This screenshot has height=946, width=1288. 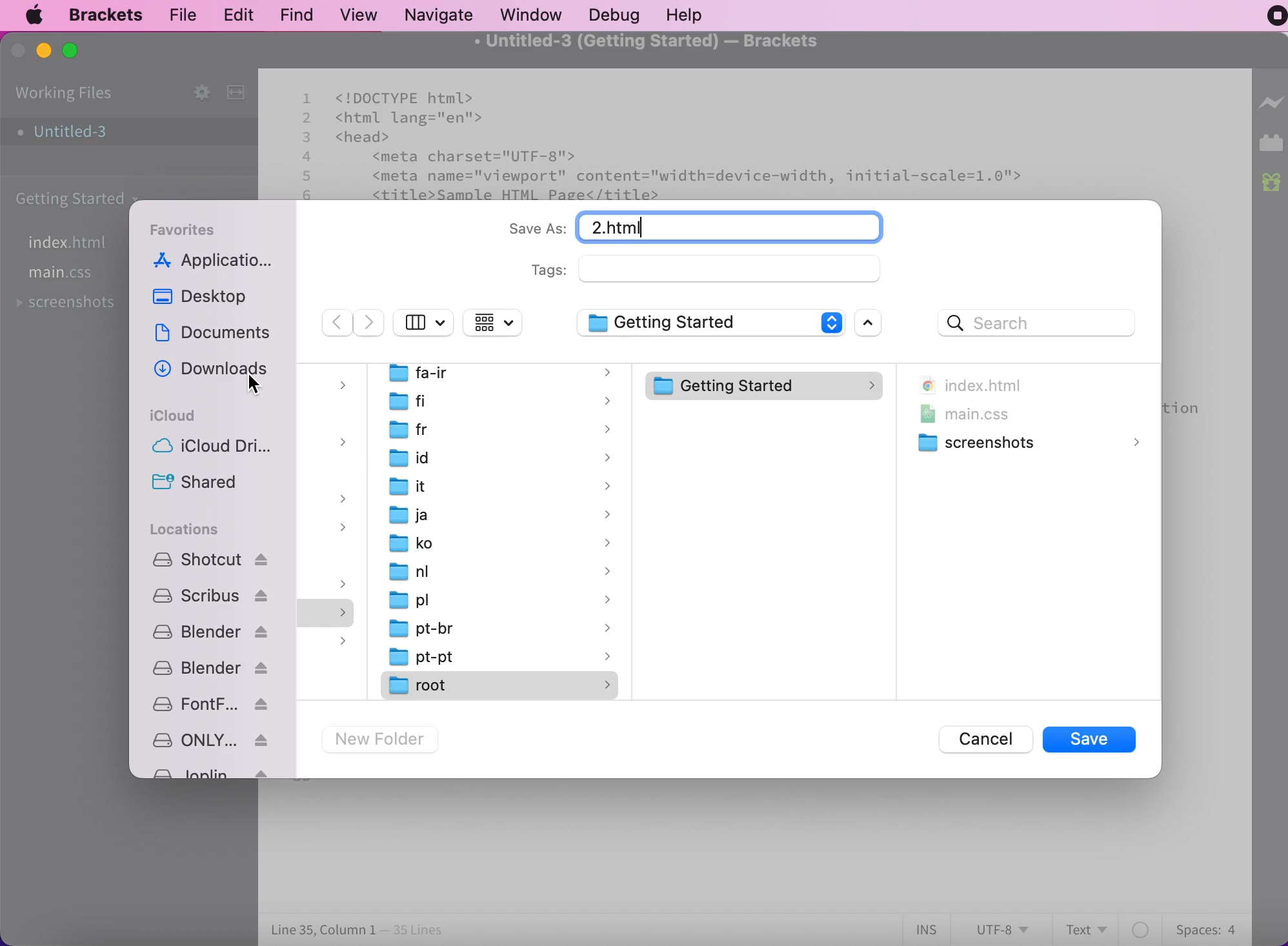 What do you see at coordinates (501, 514) in the screenshot?
I see `ja` at bounding box center [501, 514].